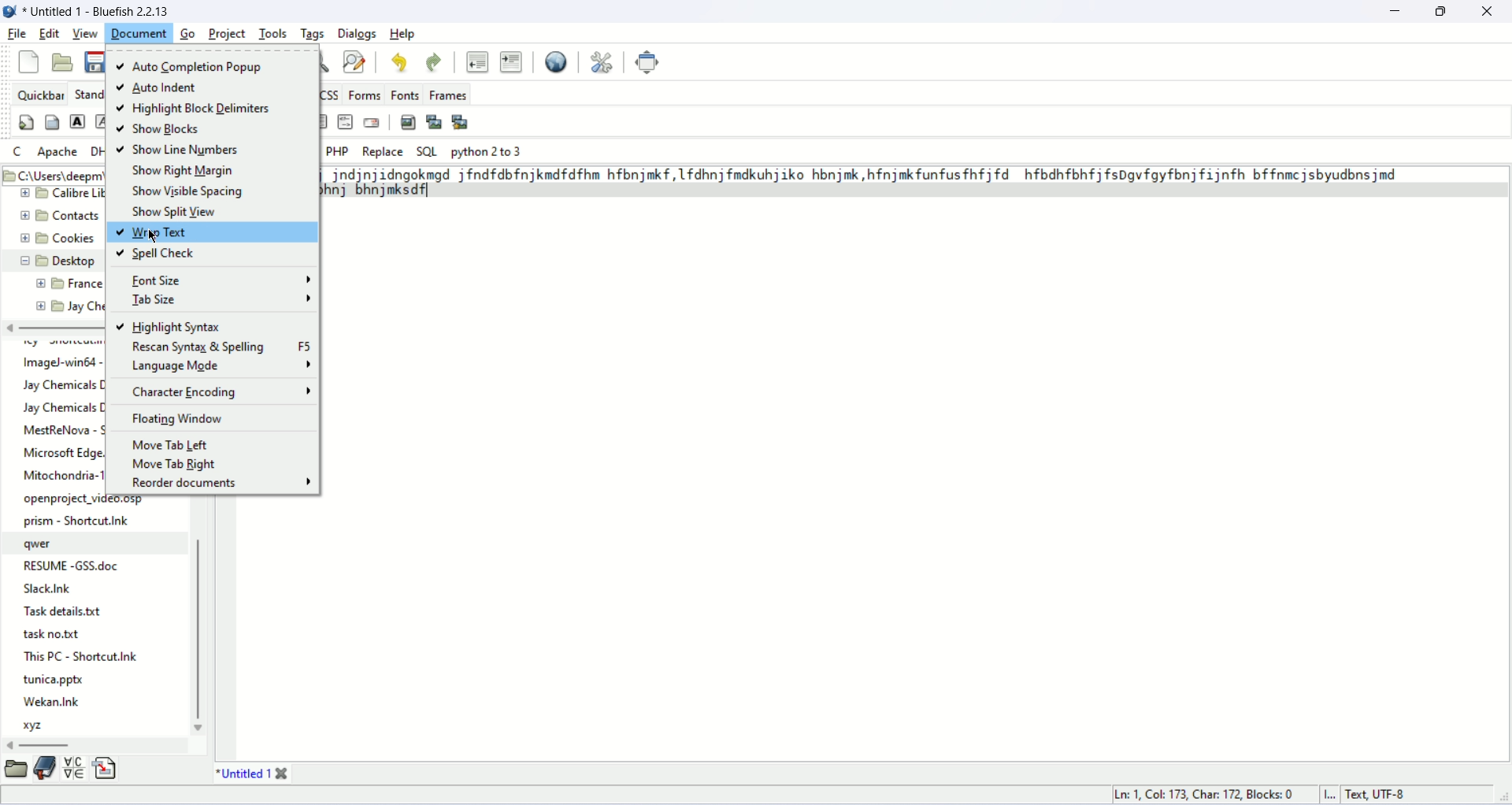 This screenshot has height=805, width=1512. I want to click on logo, so click(11, 14).